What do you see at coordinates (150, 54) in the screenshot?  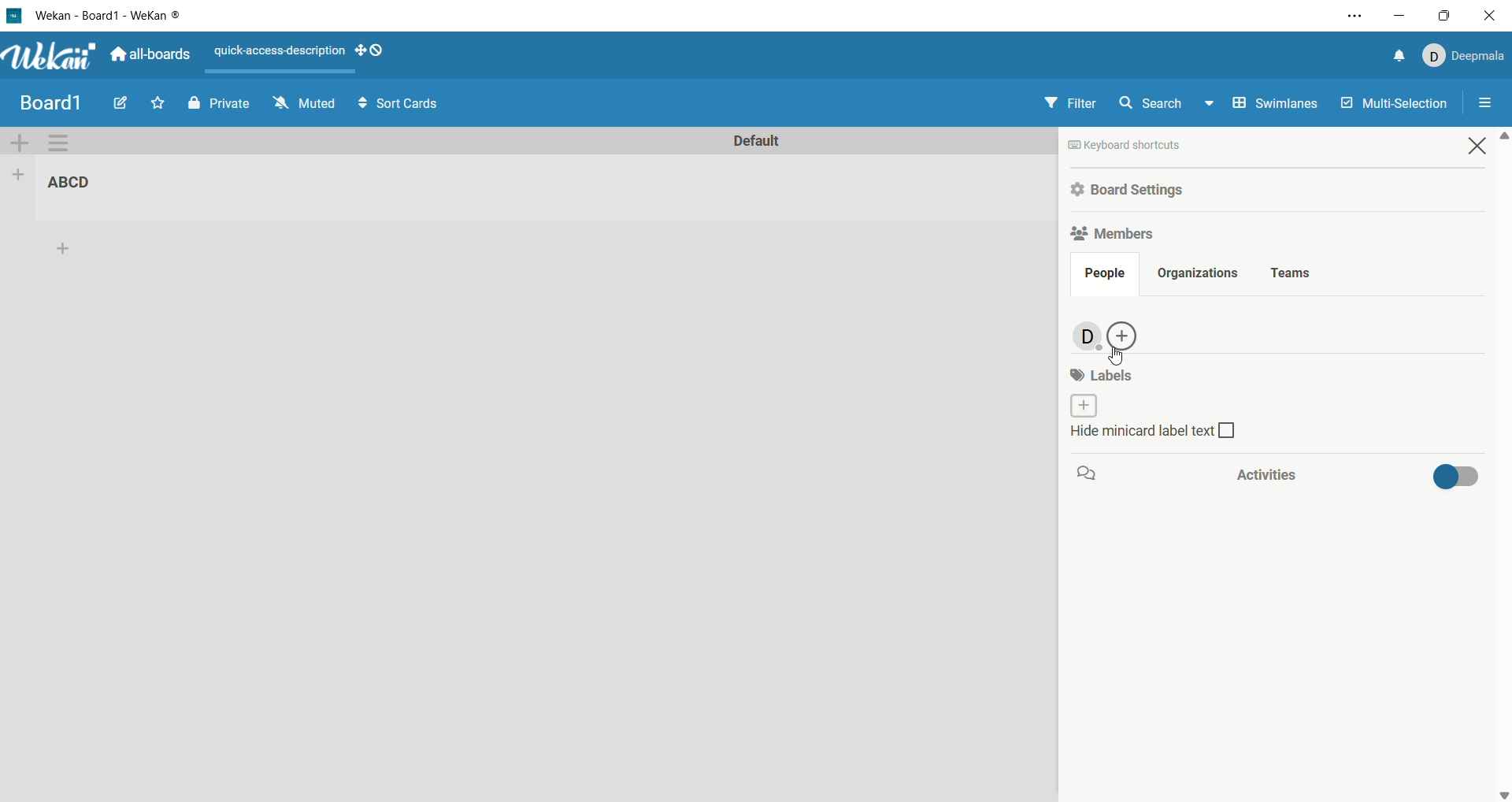 I see `all boards` at bounding box center [150, 54].